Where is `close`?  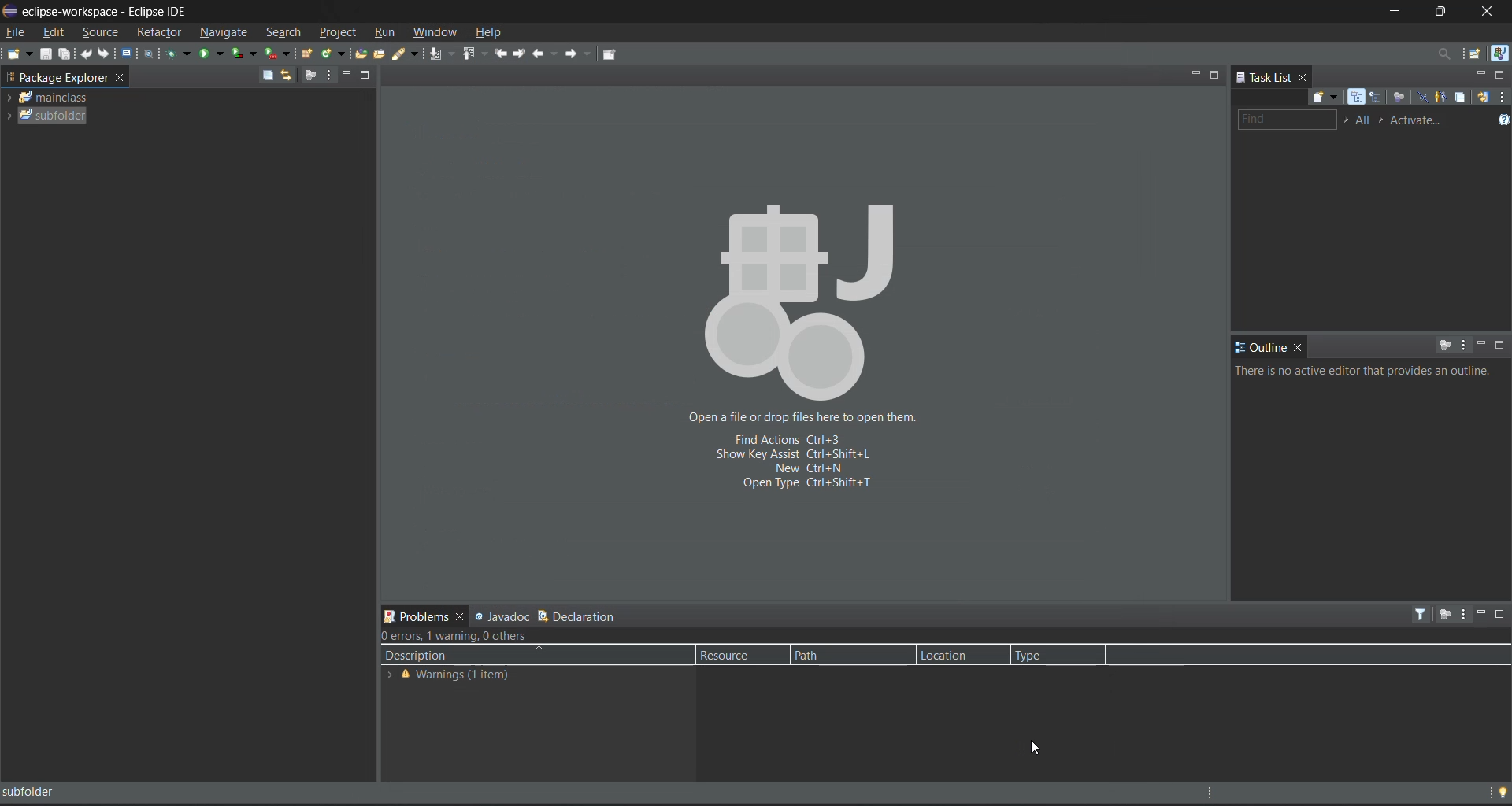 close is located at coordinates (120, 76).